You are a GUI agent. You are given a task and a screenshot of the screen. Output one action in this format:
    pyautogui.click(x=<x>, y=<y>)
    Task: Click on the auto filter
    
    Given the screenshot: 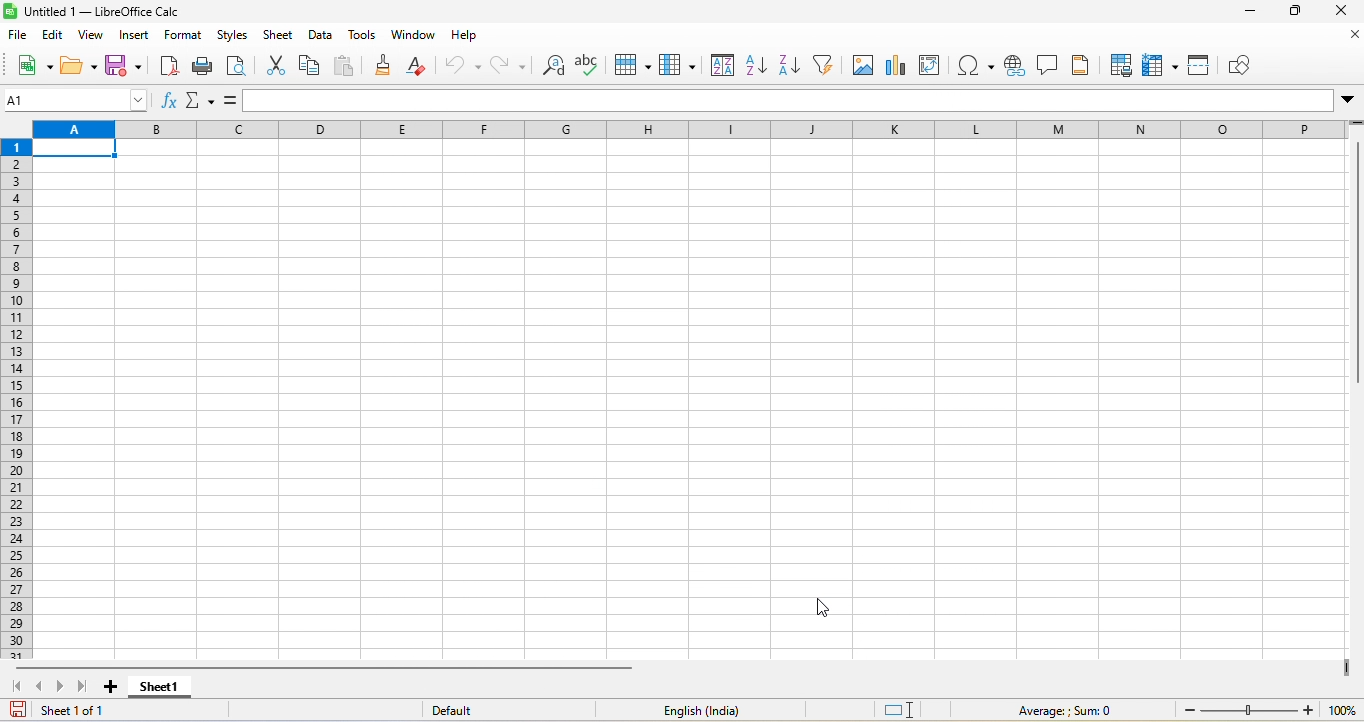 What is the action you would take?
    pyautogui.click(x=826, y=64)
    